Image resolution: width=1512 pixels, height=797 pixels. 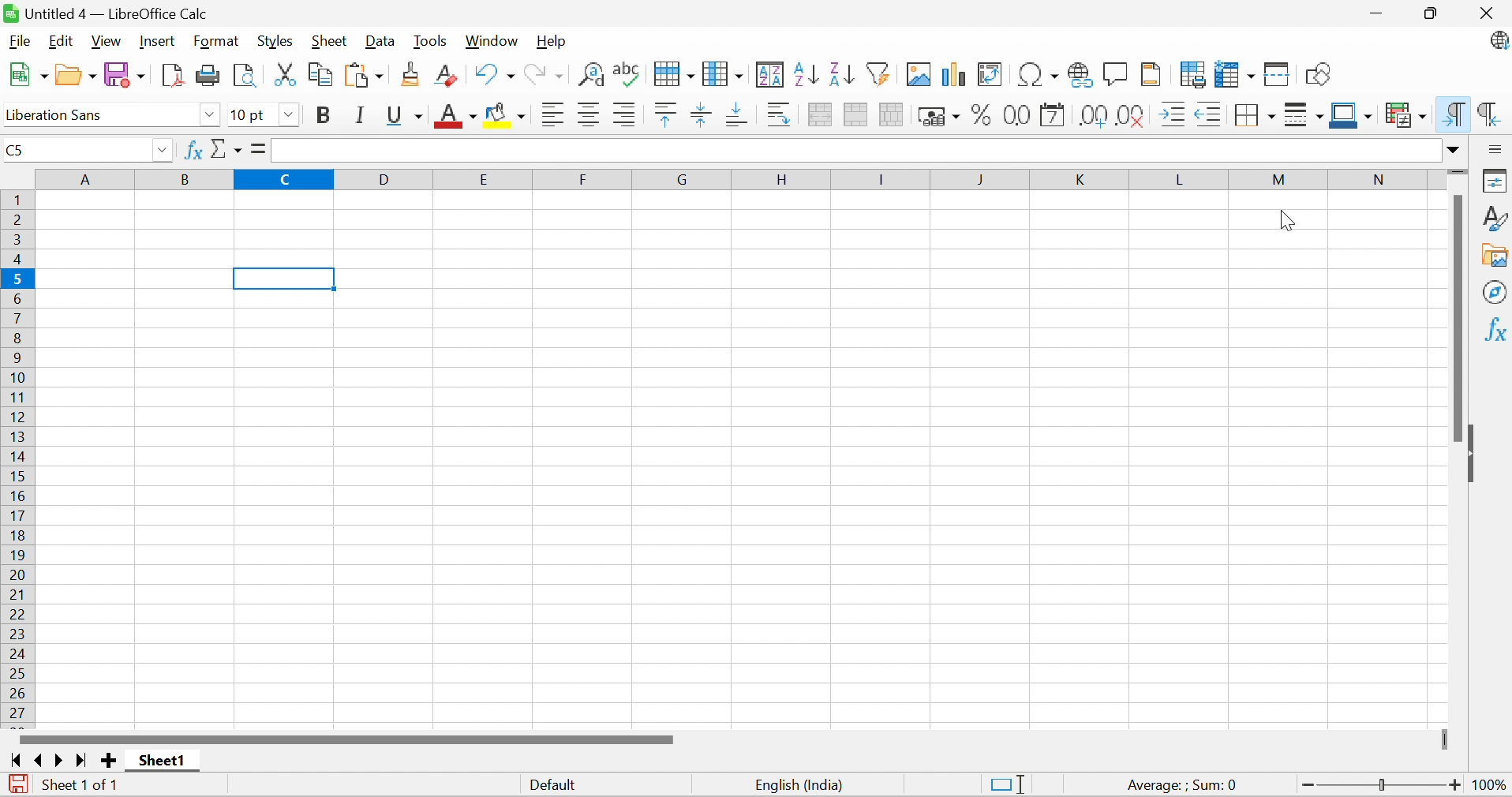 I want to click on Clear direct formatting, so click(x=445, y=77).